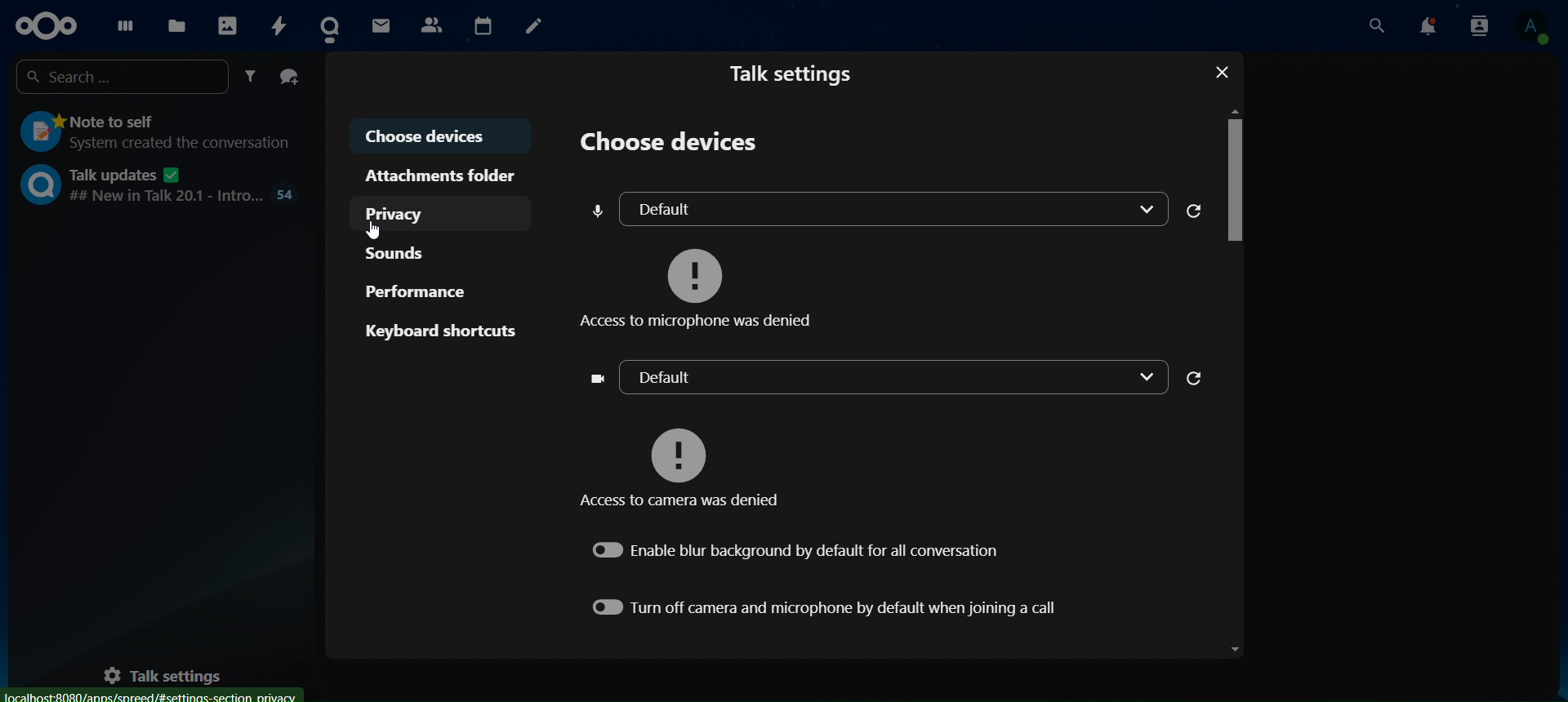 The image size is (1568, 702). I want to click on access to  microphone was denied, so click(696, 284).